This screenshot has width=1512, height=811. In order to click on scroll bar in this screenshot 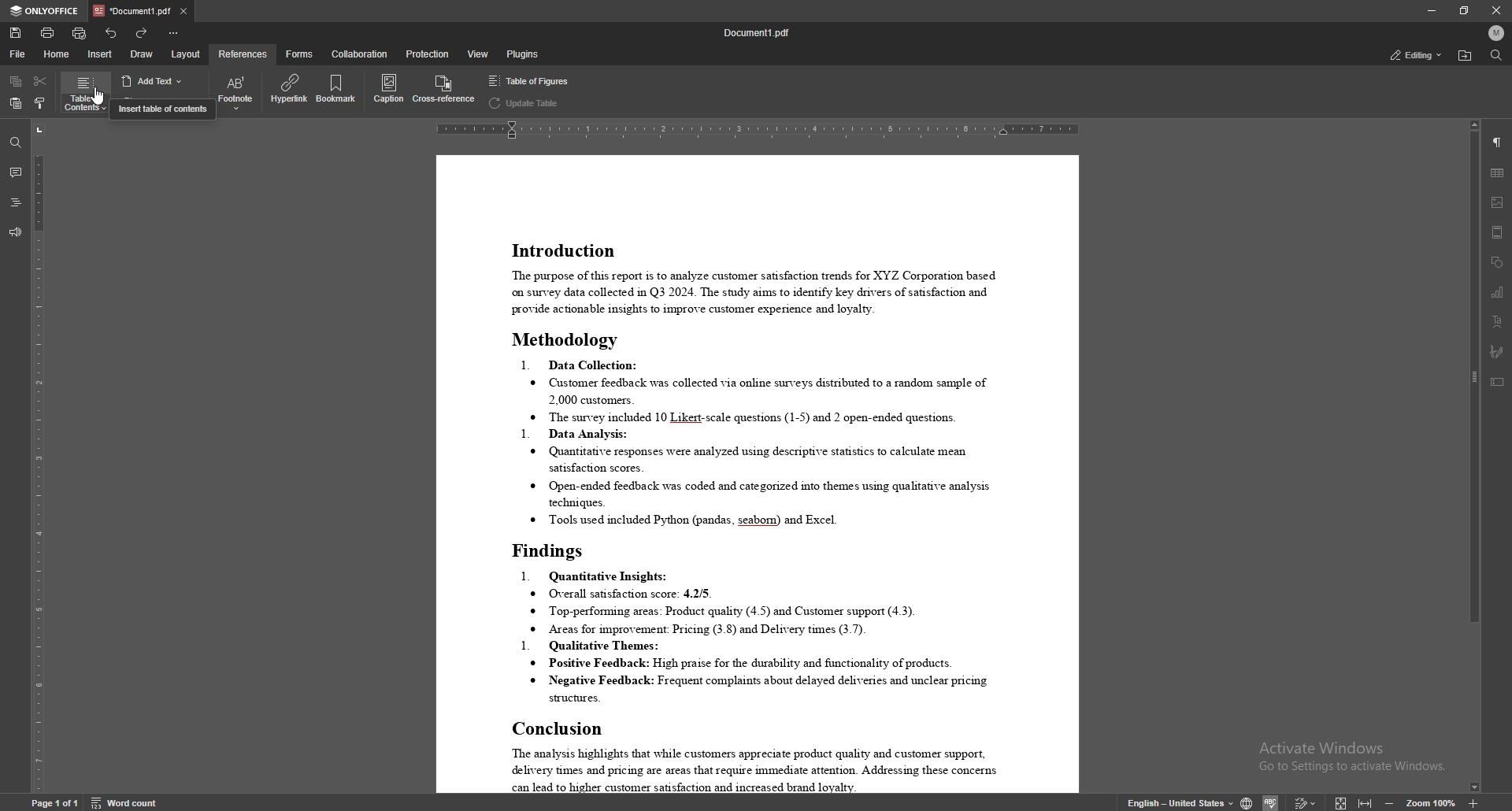, I will do `click(1472, 458)`.